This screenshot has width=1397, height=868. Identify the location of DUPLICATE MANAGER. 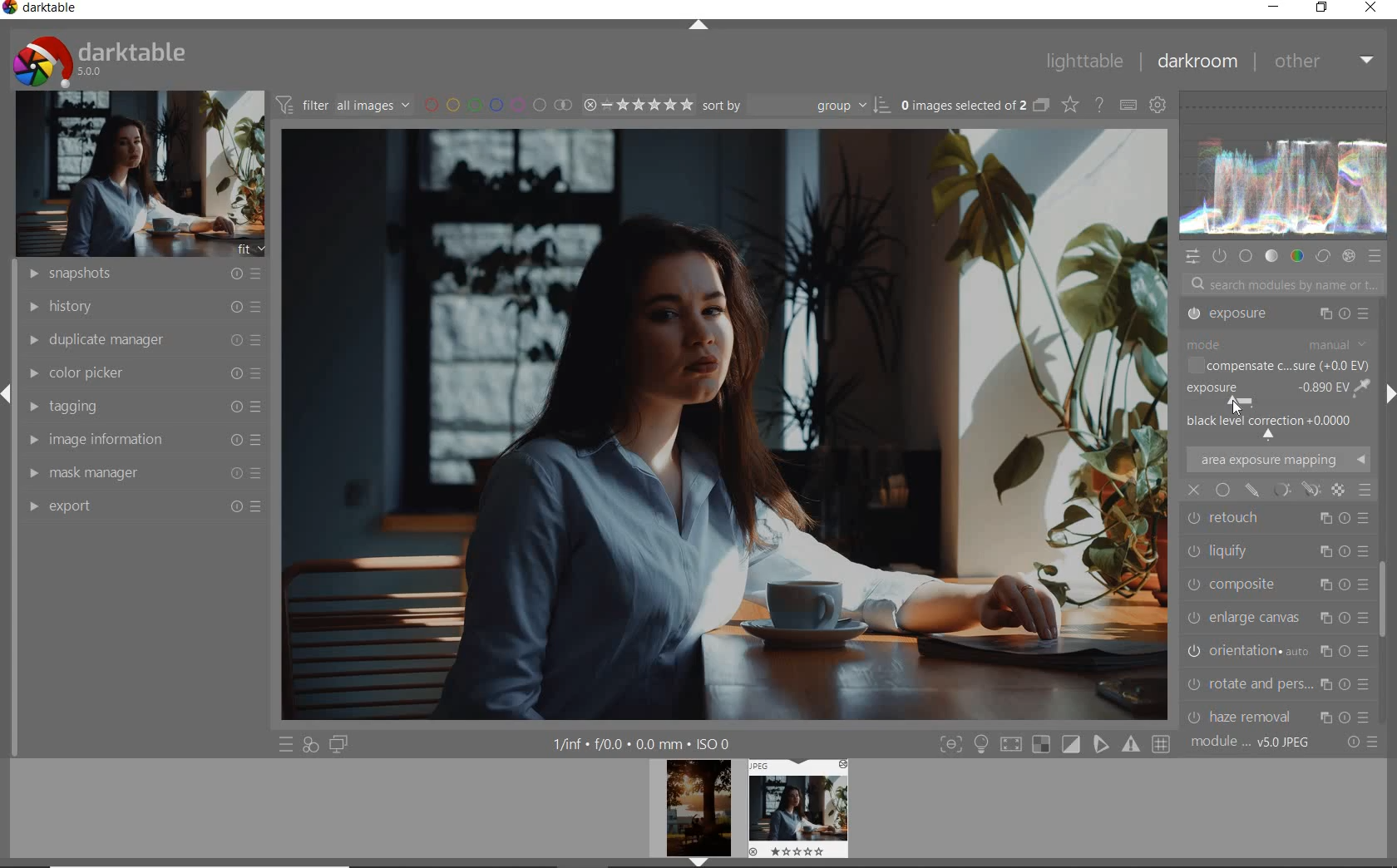
(141, 340).